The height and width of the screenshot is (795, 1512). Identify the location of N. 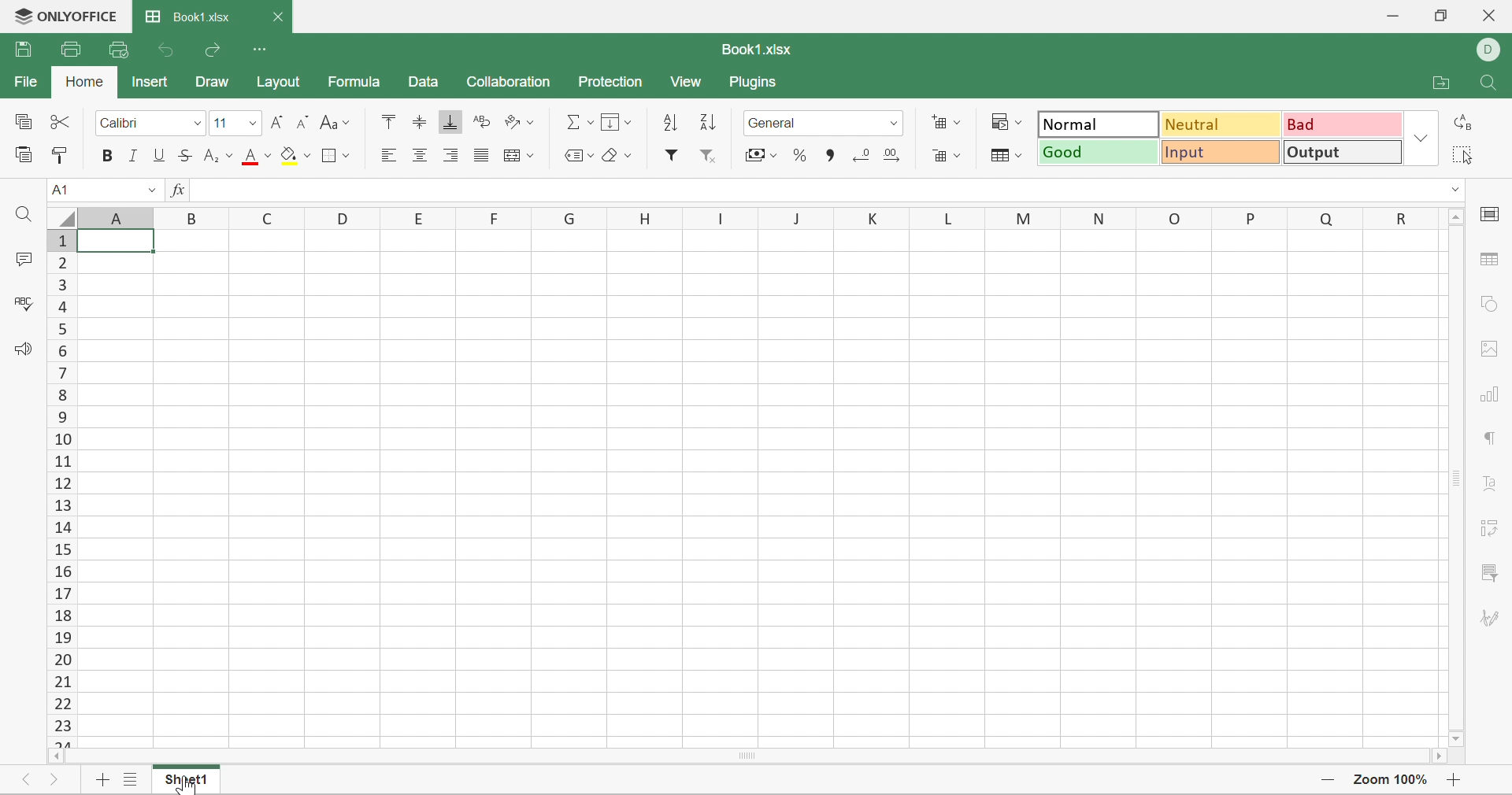
(1101, 217).